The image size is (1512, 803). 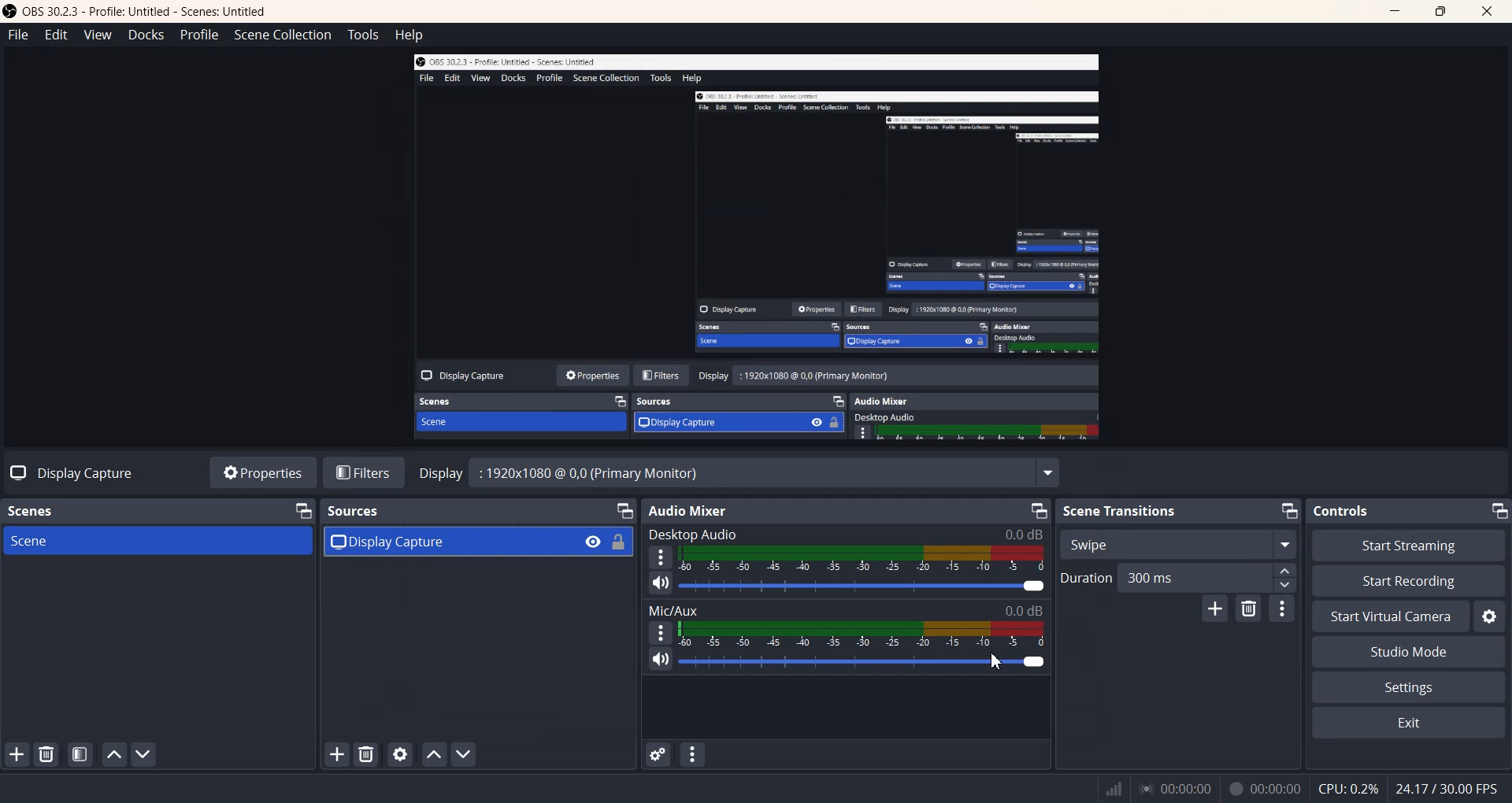 I want to click on Exit, so click(x=1407, y=723).